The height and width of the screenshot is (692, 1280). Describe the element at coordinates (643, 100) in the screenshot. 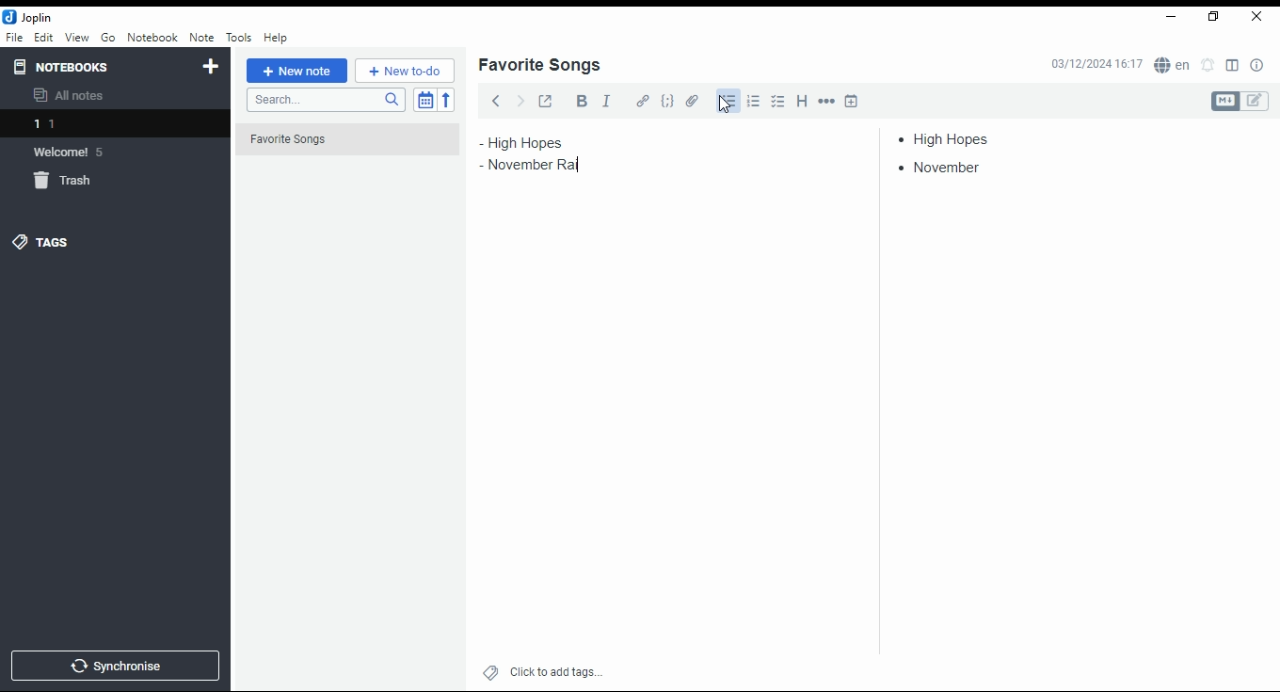

I see `hyperlink` at that location.